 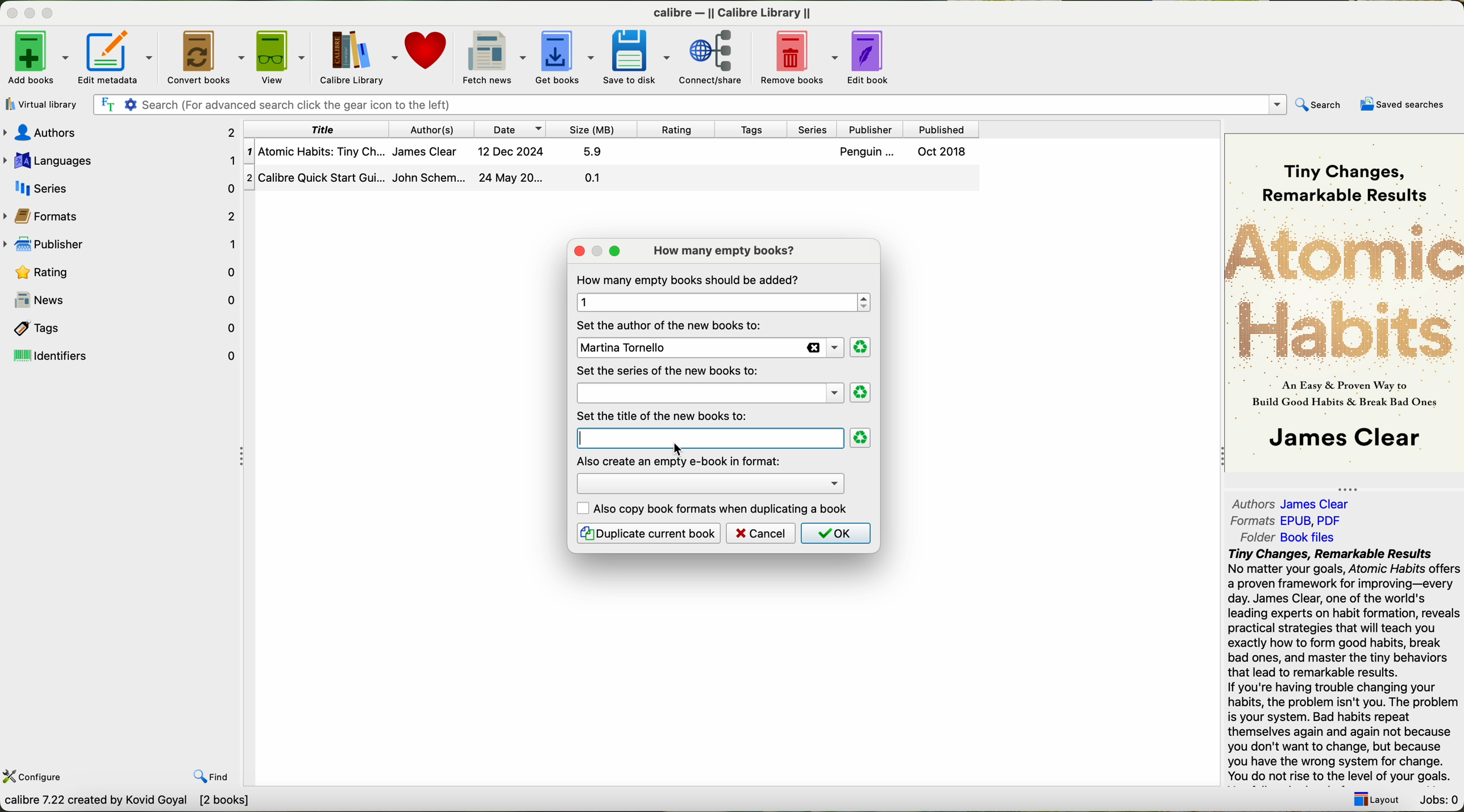 I want to click on tags, so click(x=121, y=327).